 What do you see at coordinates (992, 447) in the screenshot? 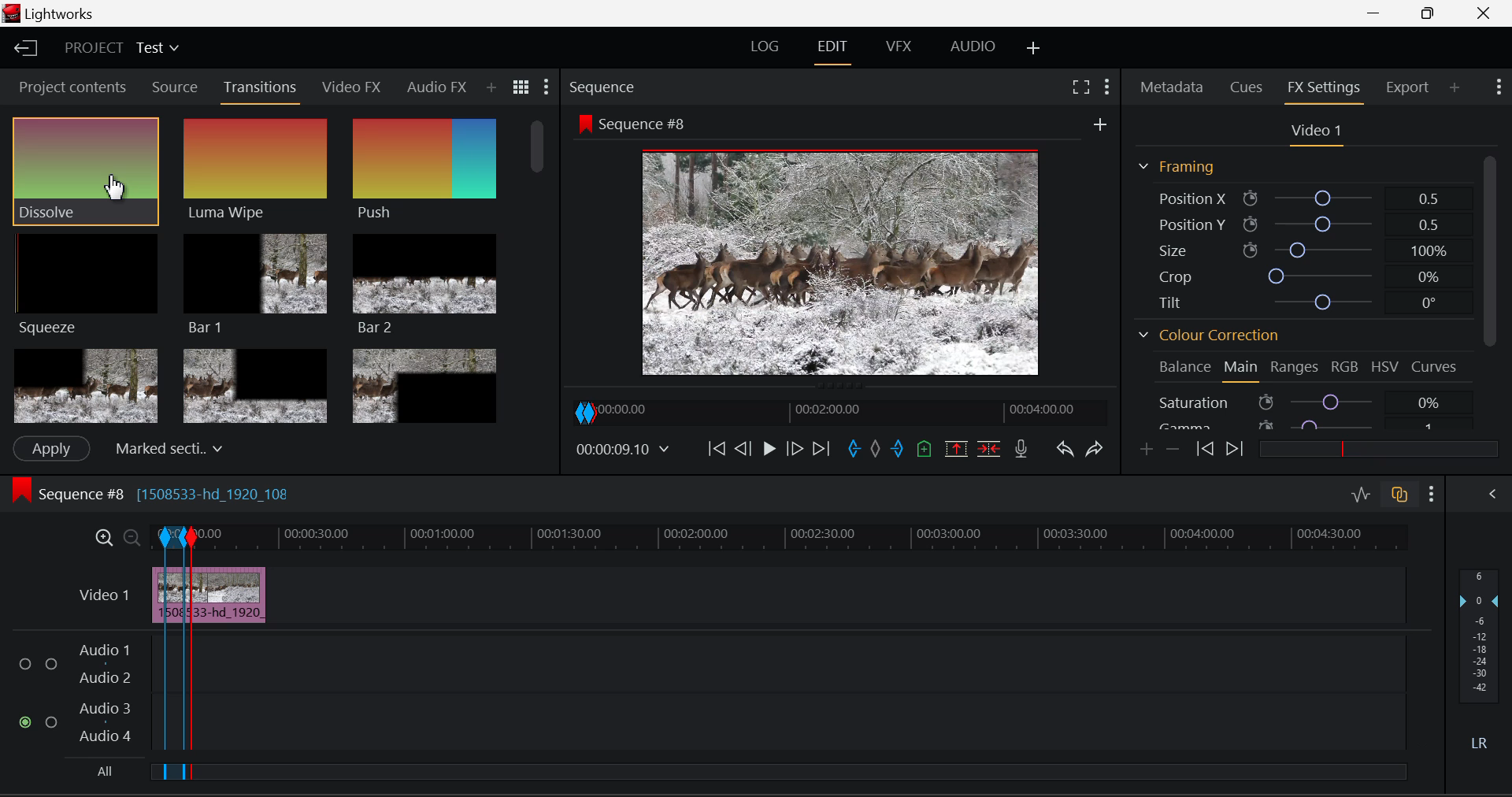
I see `Delete/Cut` at bounding box center [992, 447].